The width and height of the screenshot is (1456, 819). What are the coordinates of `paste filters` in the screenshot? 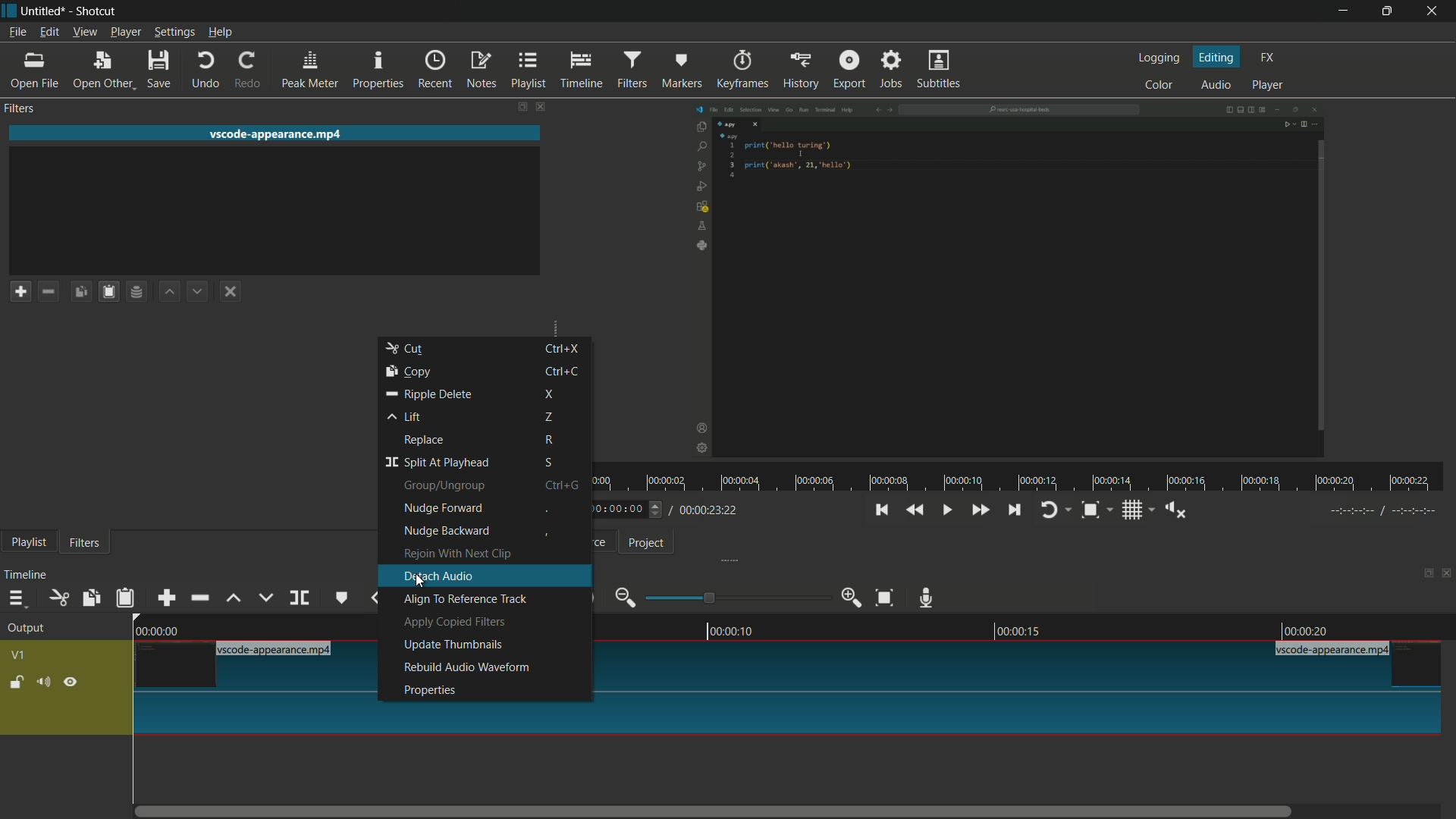 It's located at (108, 291).